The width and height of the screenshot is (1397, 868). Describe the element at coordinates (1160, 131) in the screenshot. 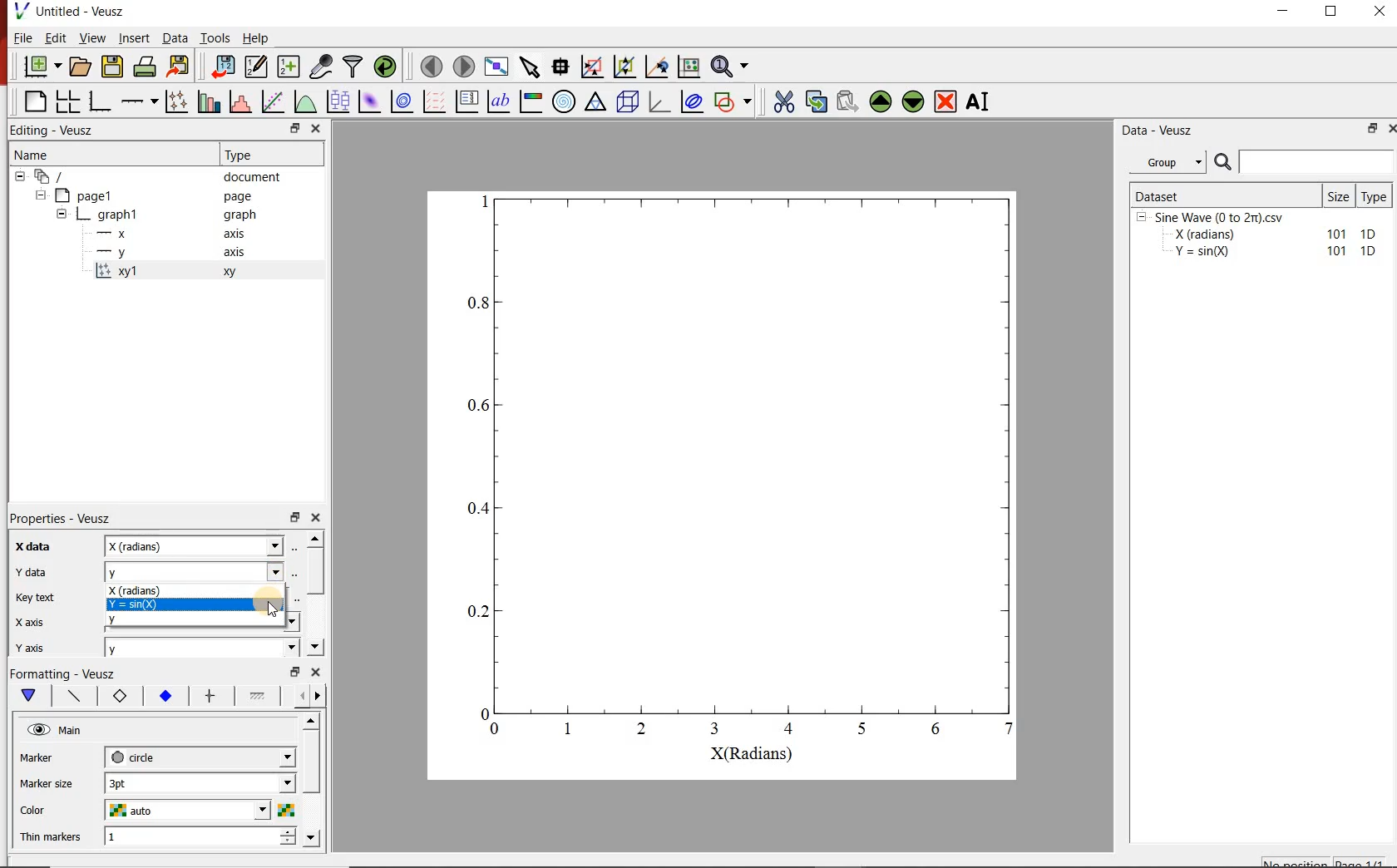

I see `Data - Veusz` at that location.